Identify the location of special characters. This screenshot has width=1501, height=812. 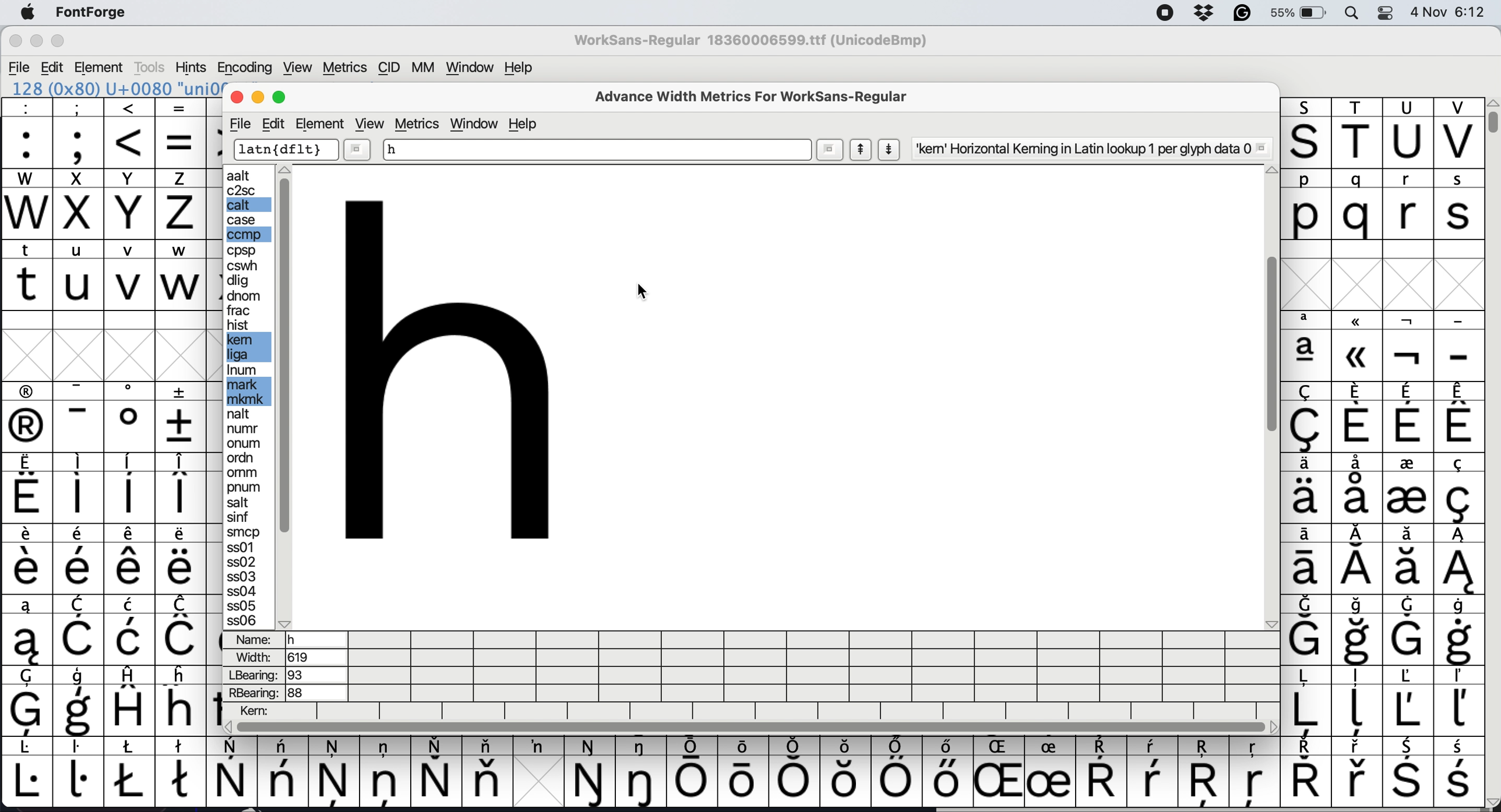
(1382, 605).